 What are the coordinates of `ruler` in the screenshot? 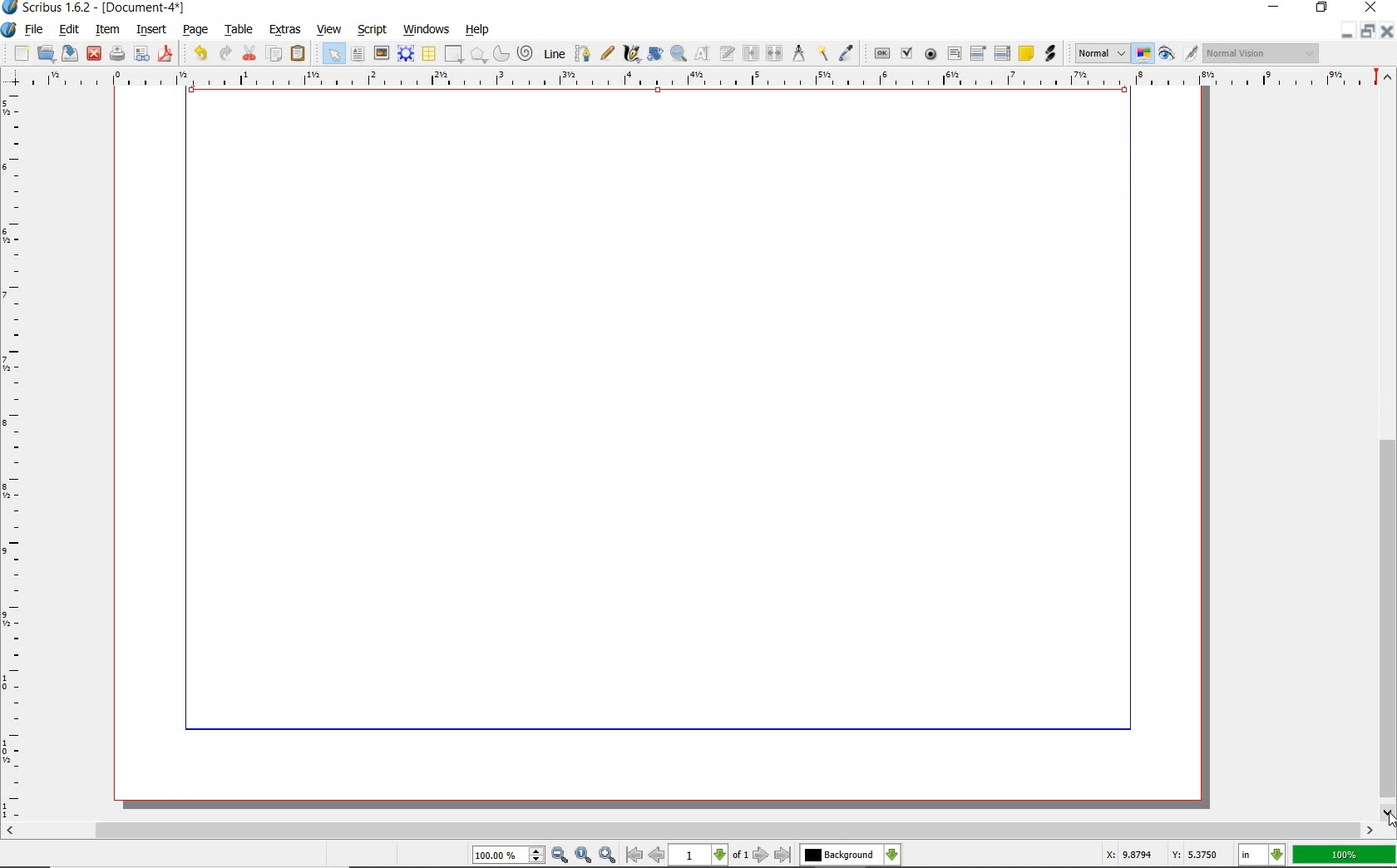 It's located at (15, 457).